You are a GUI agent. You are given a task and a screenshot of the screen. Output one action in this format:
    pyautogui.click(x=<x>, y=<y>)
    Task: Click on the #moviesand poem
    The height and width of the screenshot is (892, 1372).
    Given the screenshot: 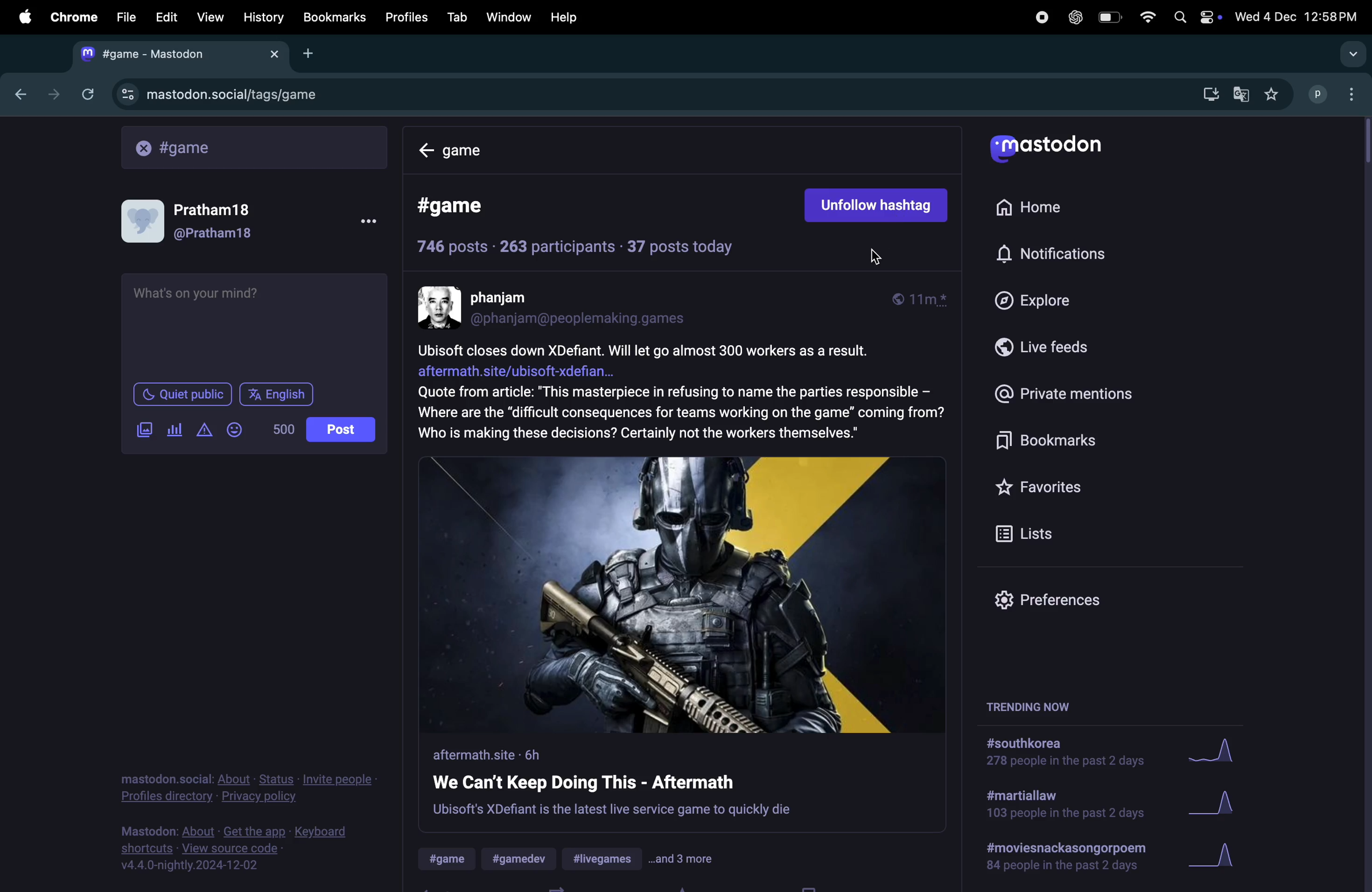 What is the action you would take?
    pyautogui.click(x=1068, y=859)
    